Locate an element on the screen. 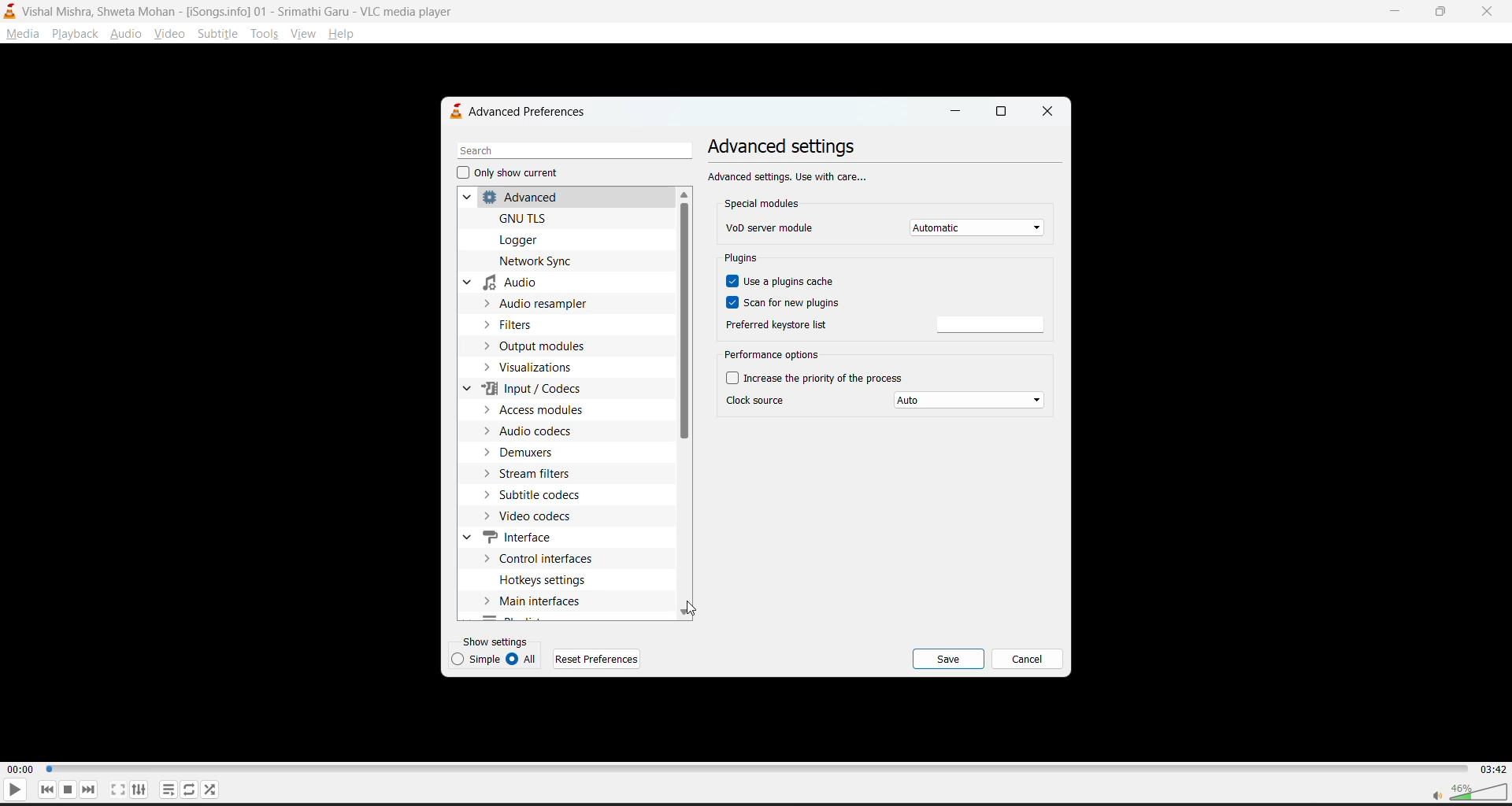 This screenshot has width=1512, height=806. gnu tls is located at coordinates (526, 219).